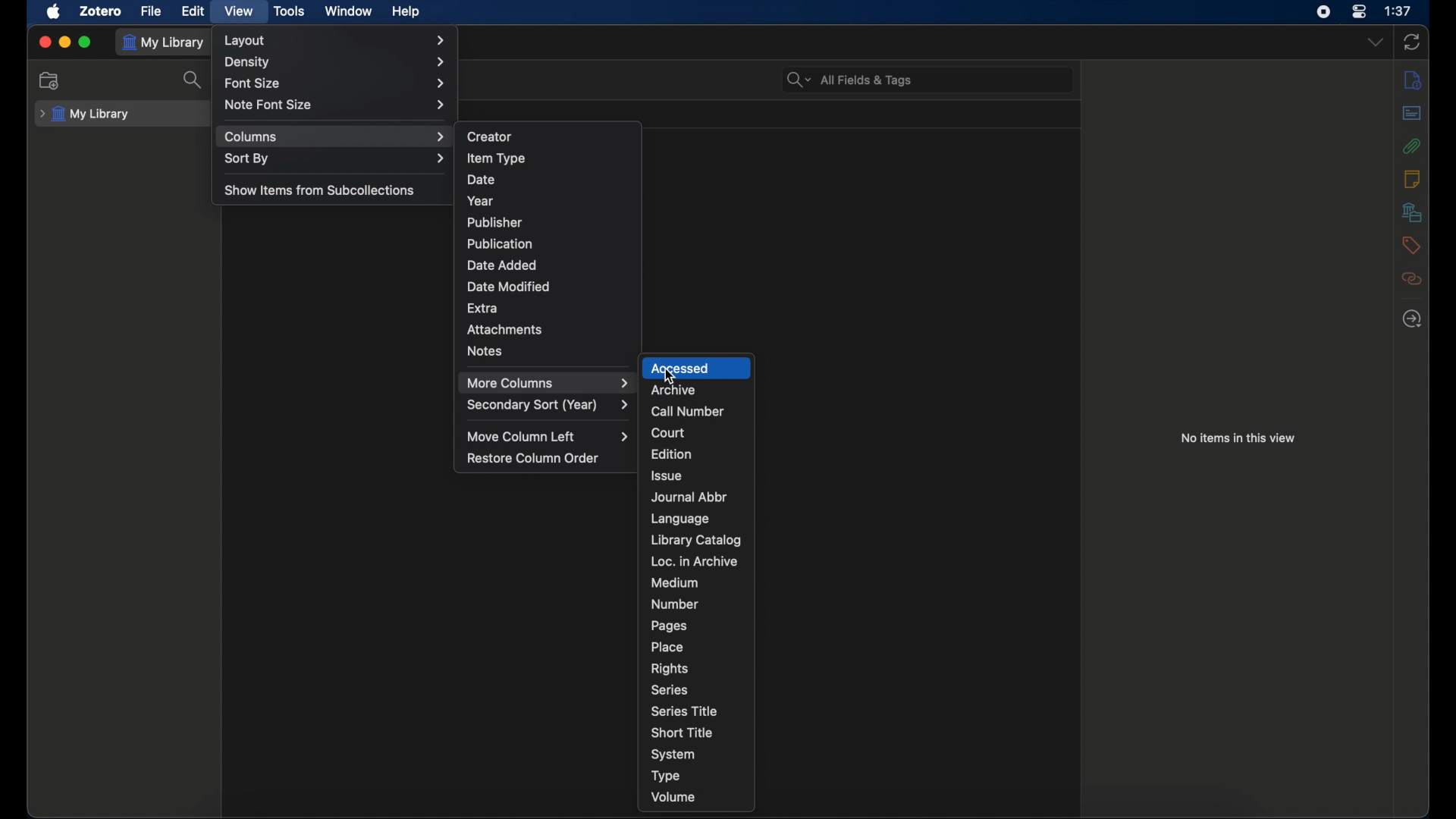 The height and width of the screenshot is (819, 1456). I want to click on date modified, so click(510, 287).